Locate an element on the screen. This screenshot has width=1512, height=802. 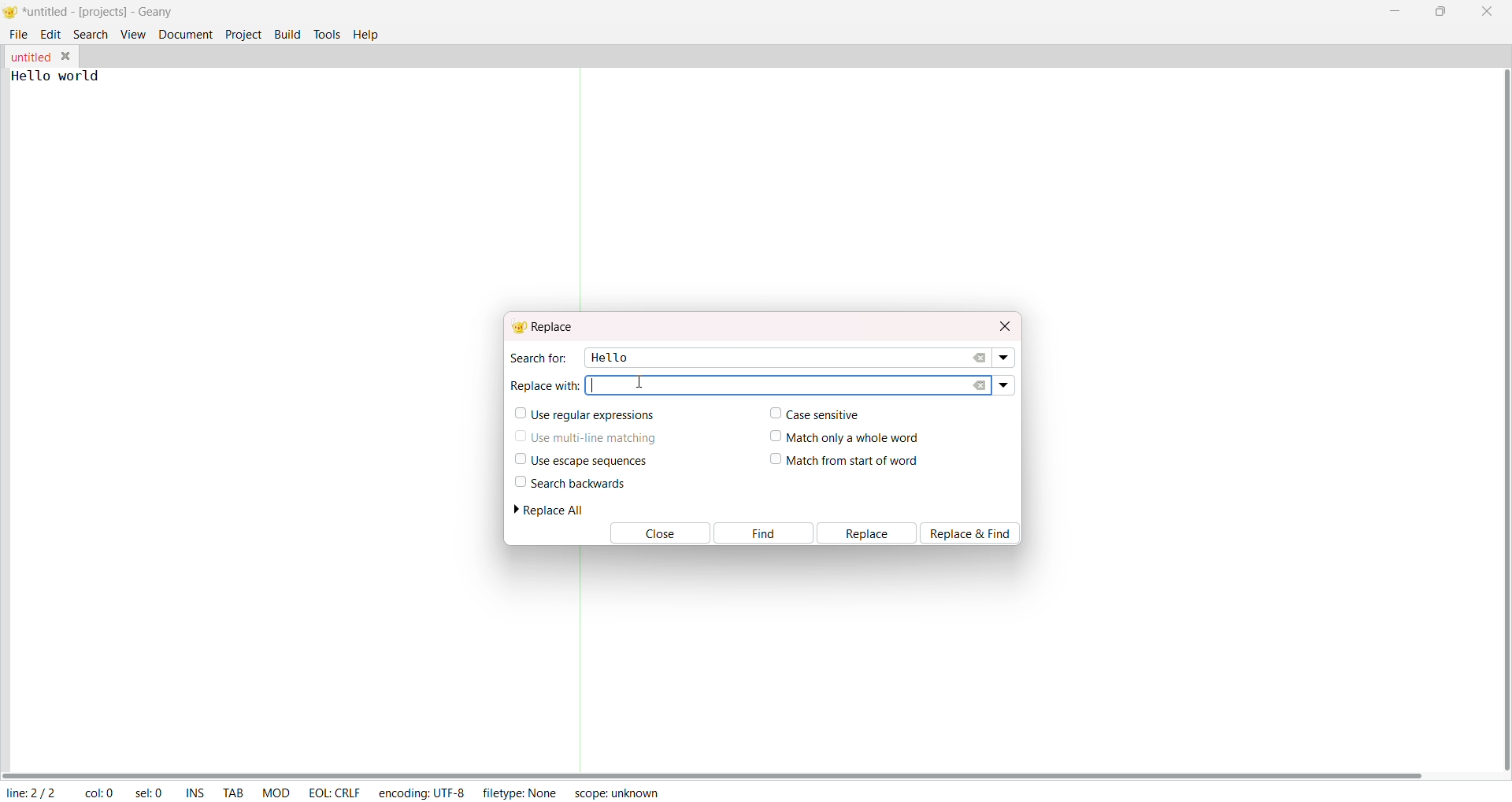
*untitled-[projects]-Geany is located at coordinates (113, 12).